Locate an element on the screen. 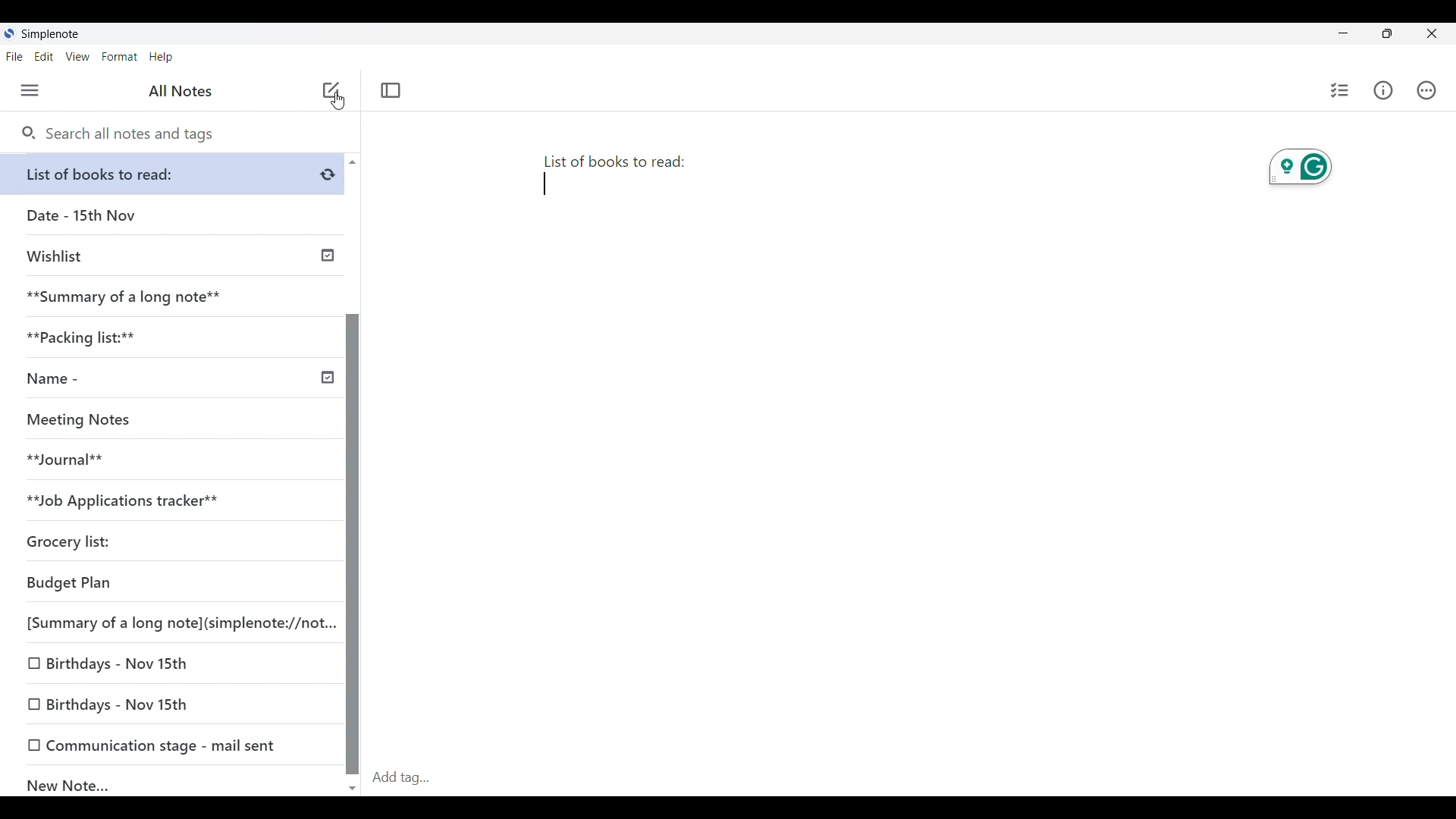 This screenshot has width=1456, height=819. Help  is located at coordinates (162, 58).